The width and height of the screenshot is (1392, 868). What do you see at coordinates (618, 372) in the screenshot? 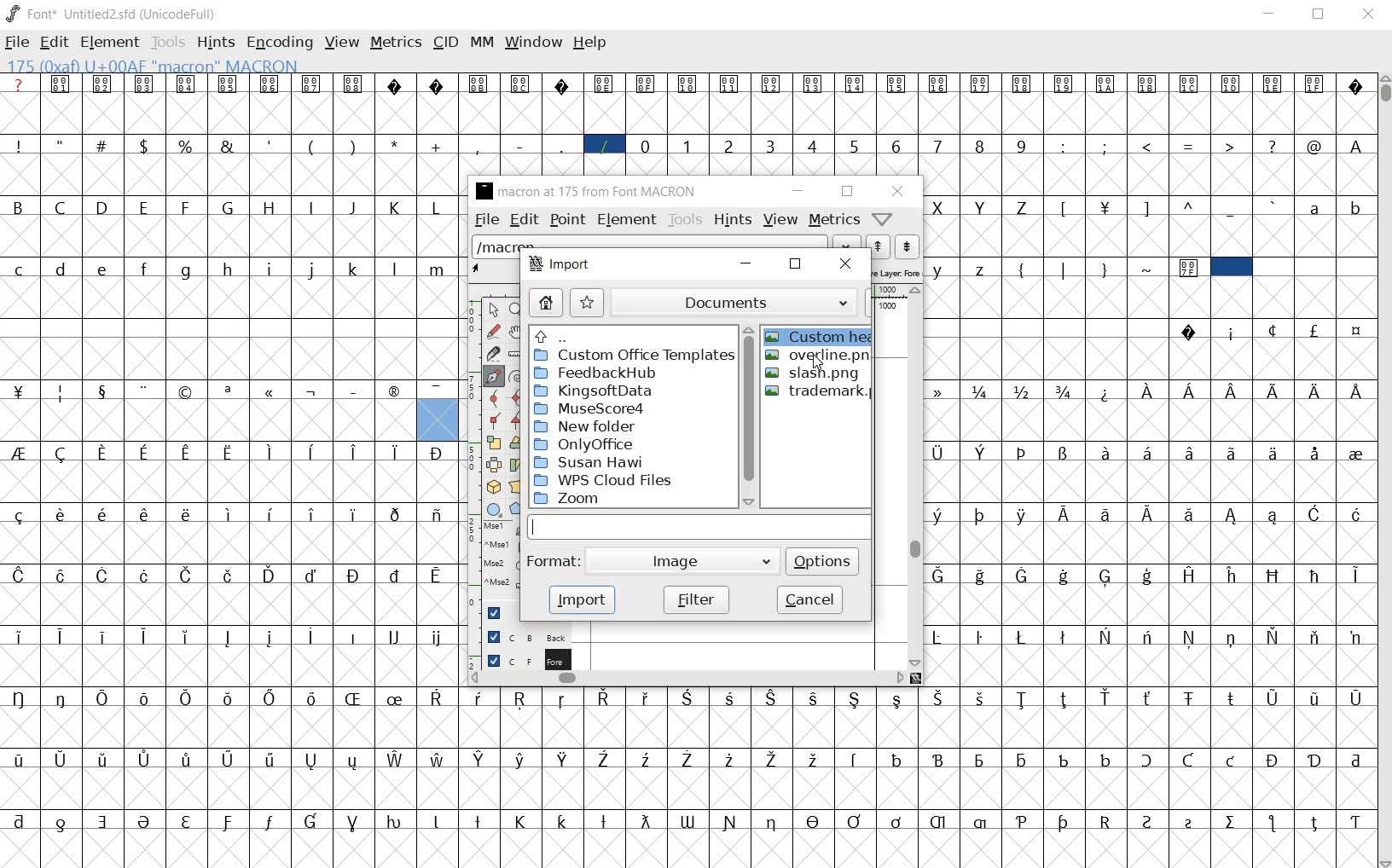
I see `FeedbackHub` at bounding box center [618, 372].